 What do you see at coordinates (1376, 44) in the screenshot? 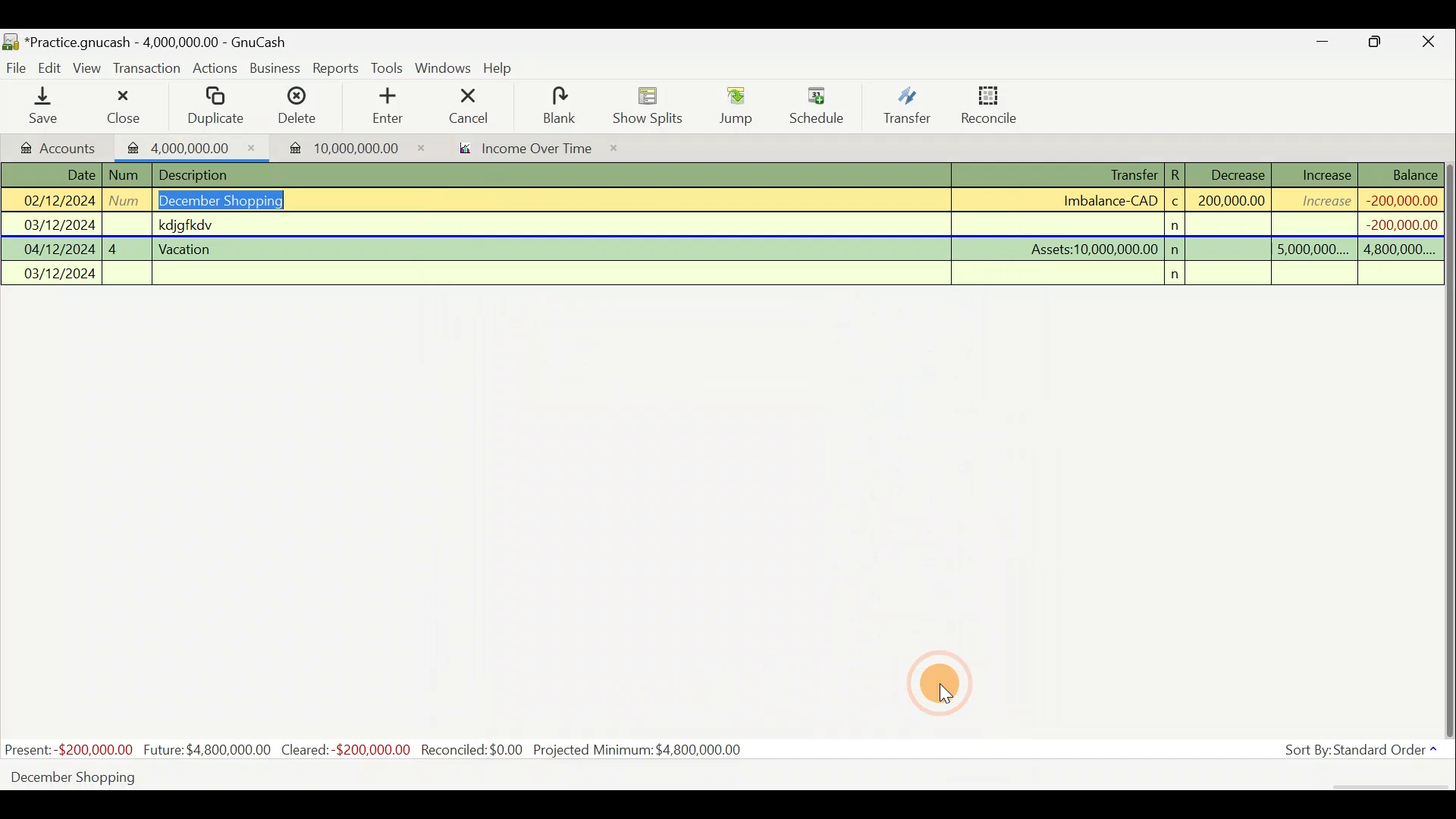
I see `Maximise` at bounding box center [1376, 44].